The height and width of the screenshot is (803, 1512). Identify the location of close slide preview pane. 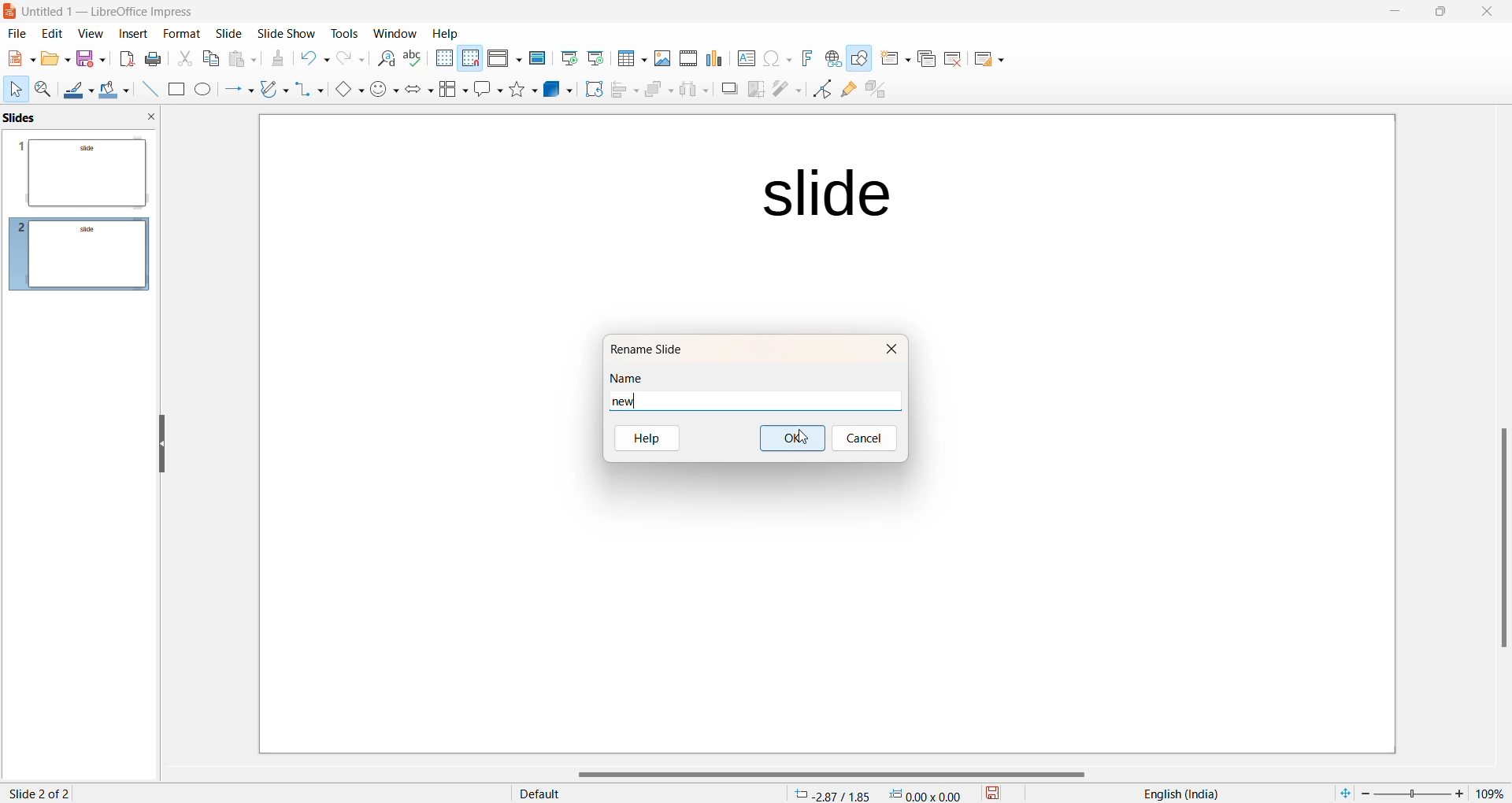
(154, 118).